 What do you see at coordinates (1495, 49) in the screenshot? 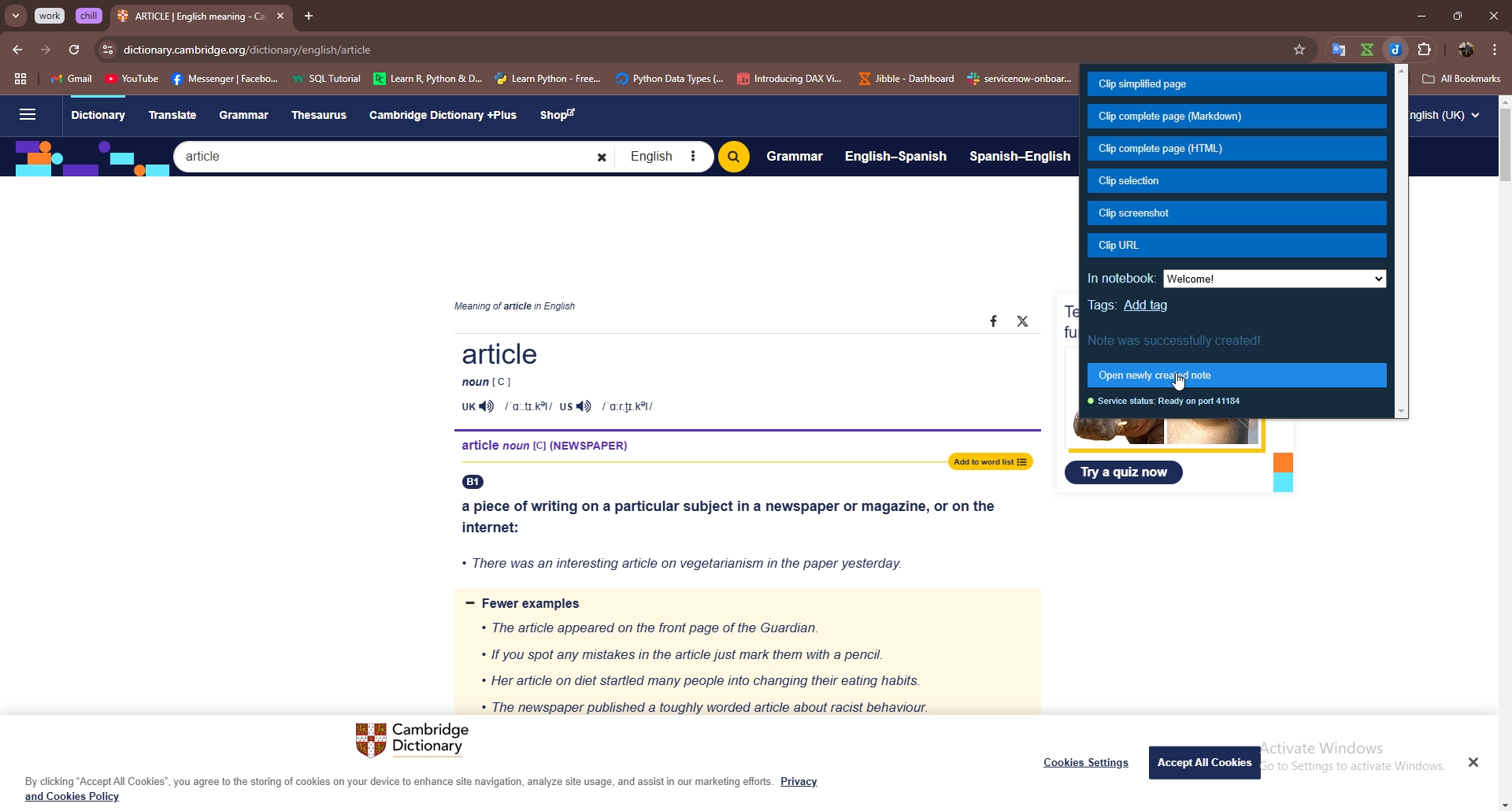
I see `options` at bounding box center [1495, 49].